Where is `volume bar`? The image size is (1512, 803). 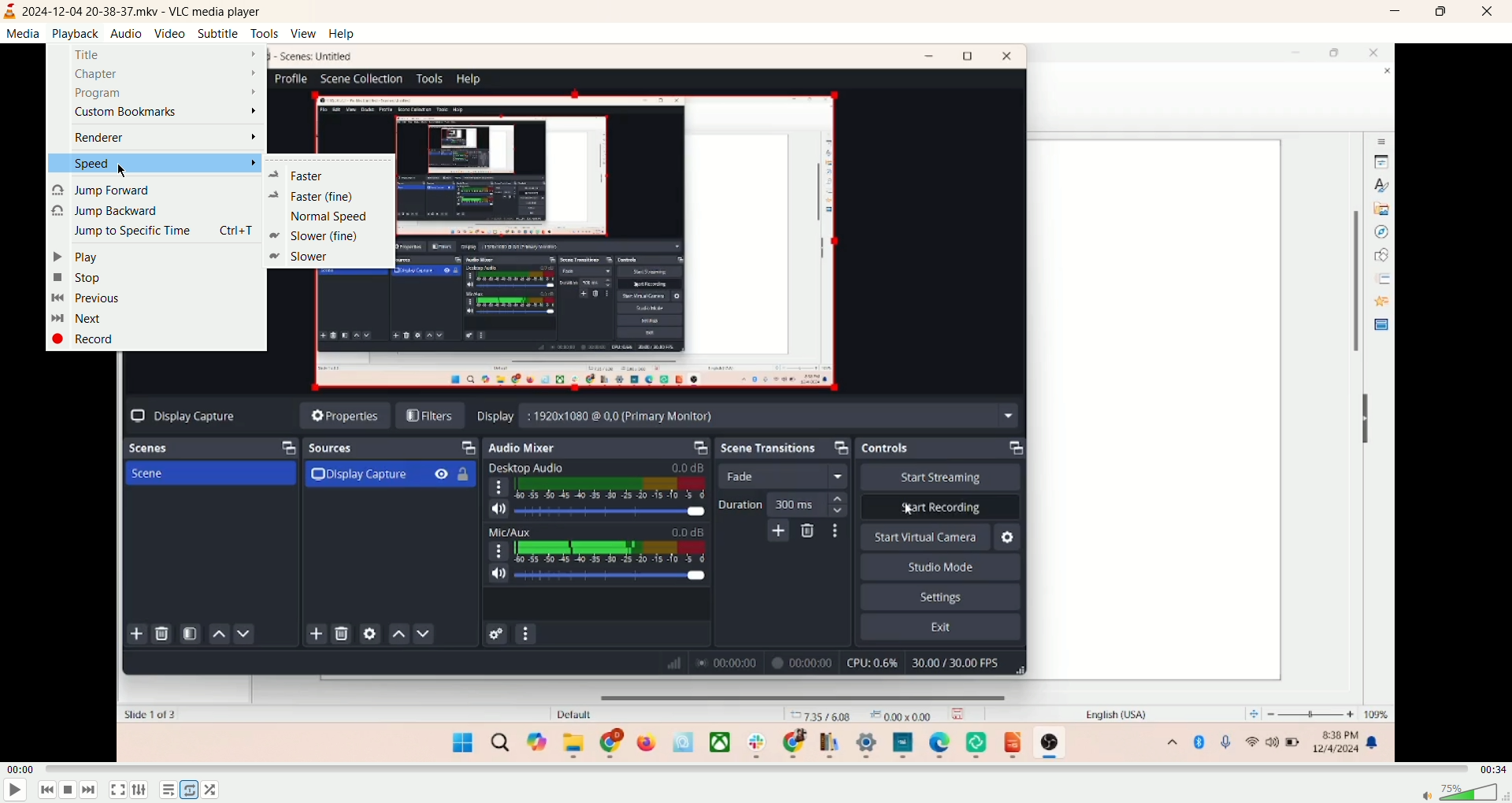 volume bar is located at coordinates (1463, 794).